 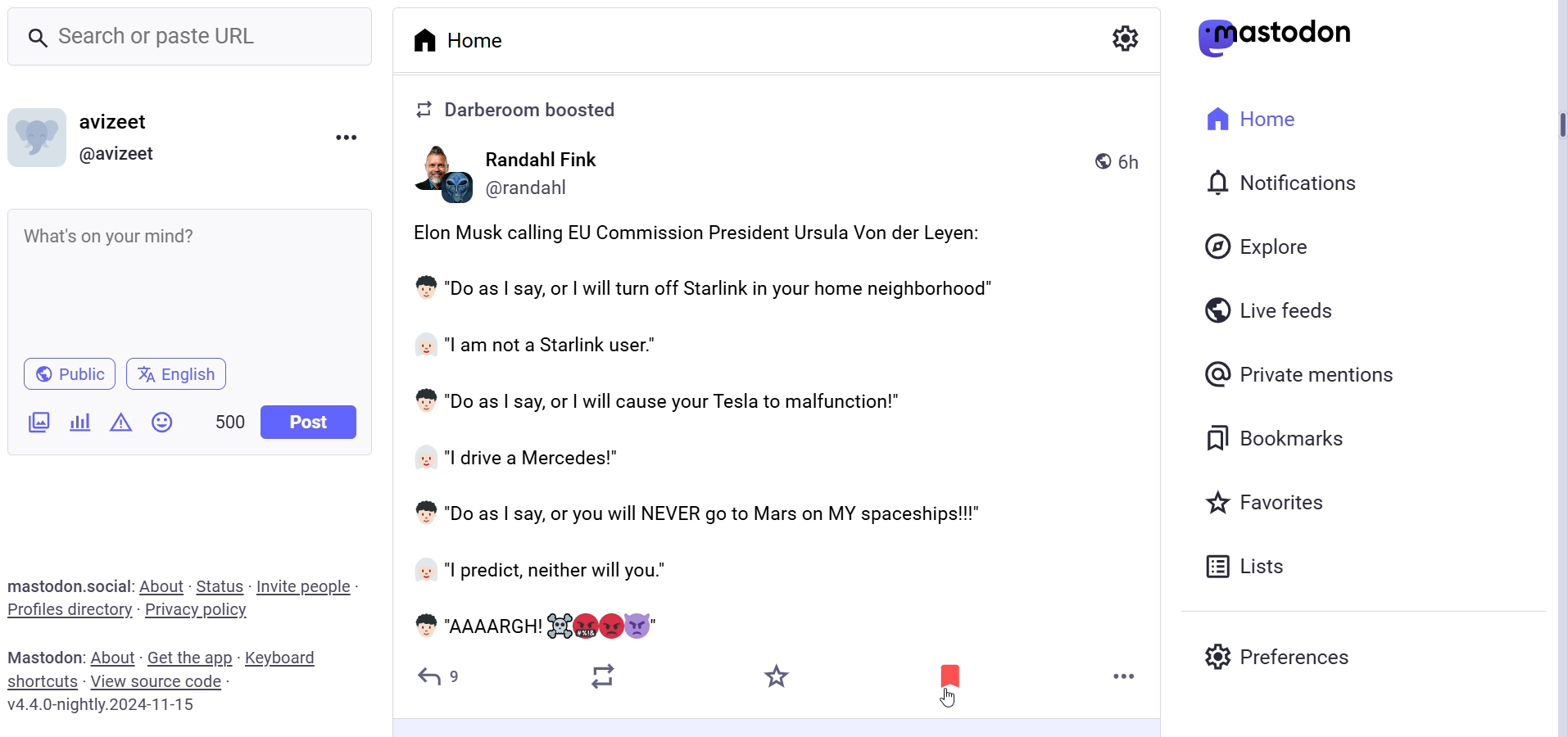 I want to click on Bookmarks, so click(x=1275, y=436).